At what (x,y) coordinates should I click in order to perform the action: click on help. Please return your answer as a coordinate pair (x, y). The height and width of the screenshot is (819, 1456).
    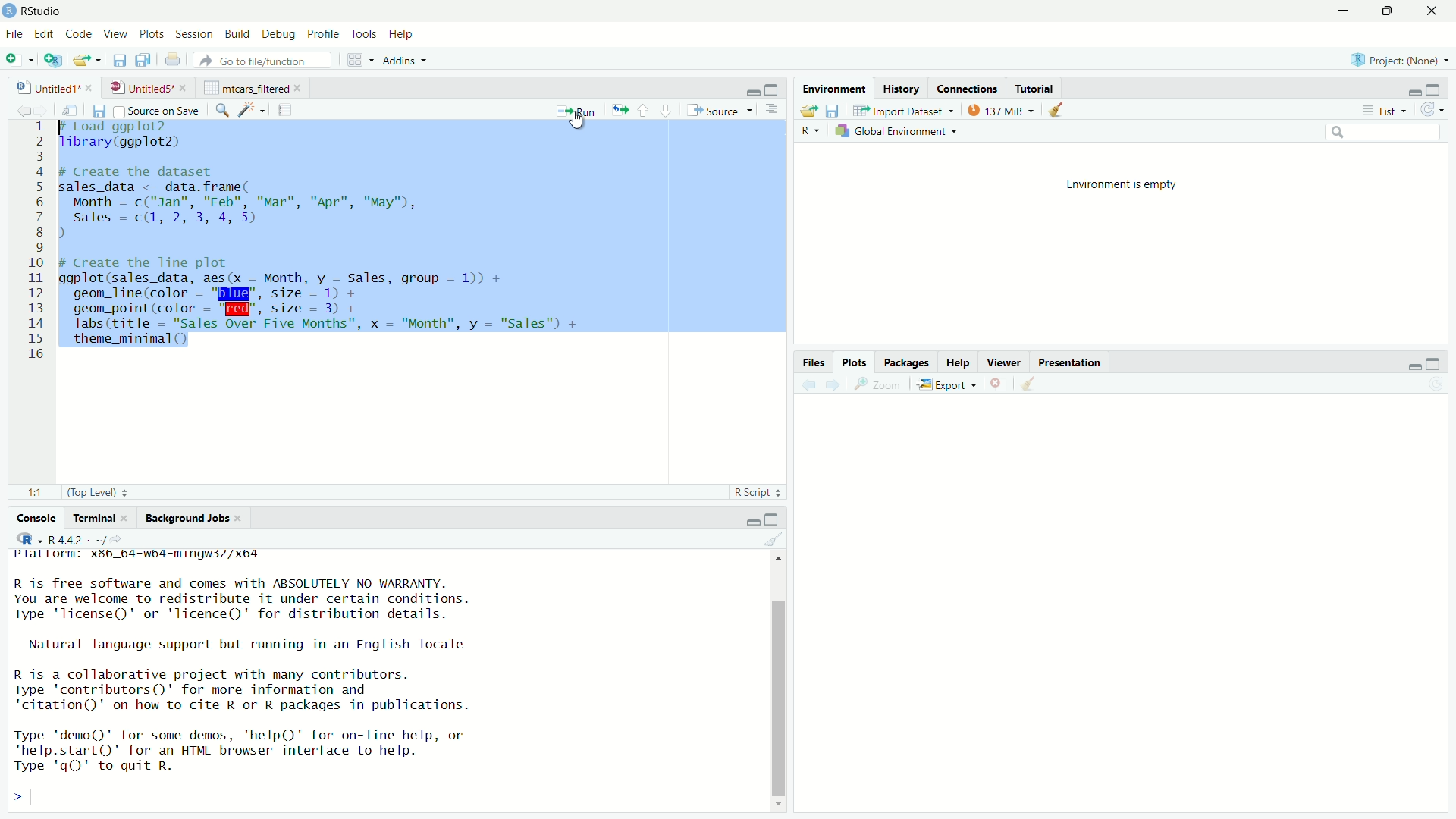
    Looking at the image, I should click on (404, 36).